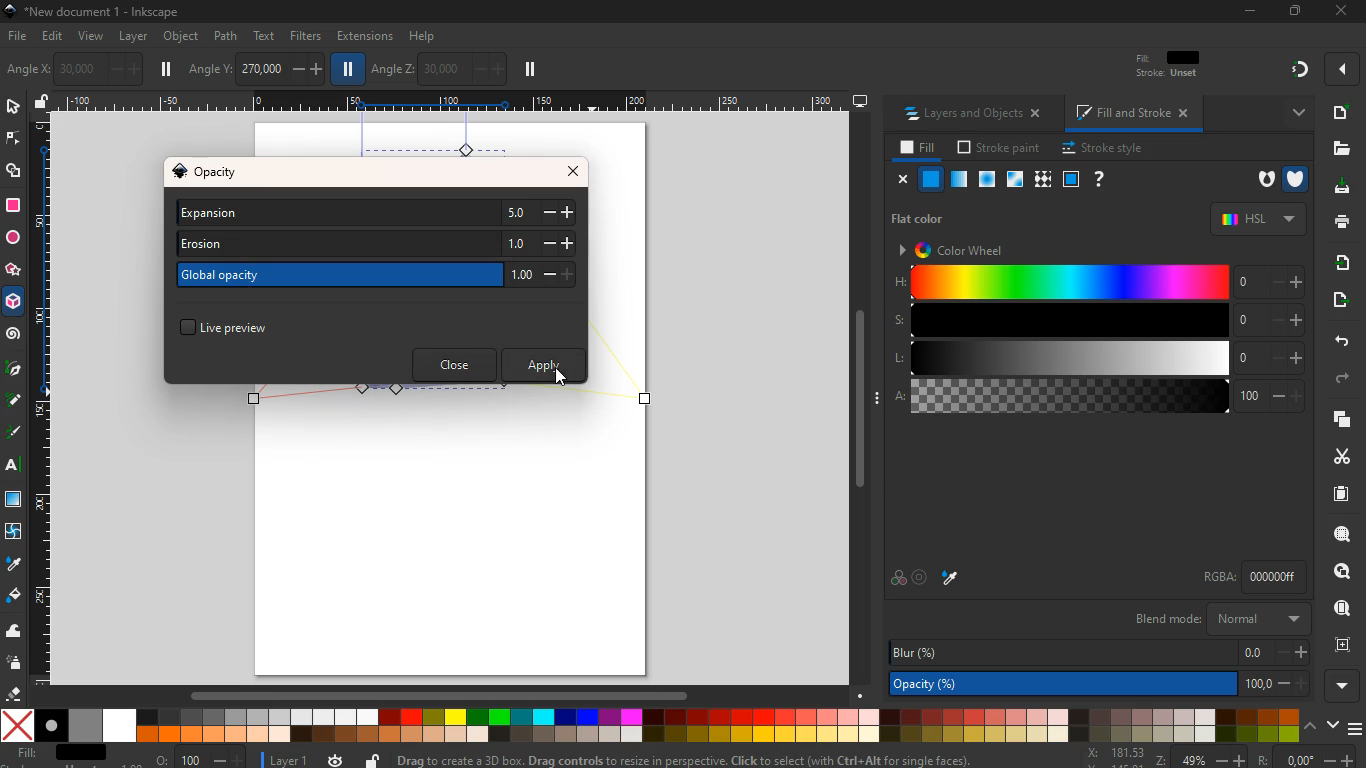  I want to click on help, so click(1100, 179).